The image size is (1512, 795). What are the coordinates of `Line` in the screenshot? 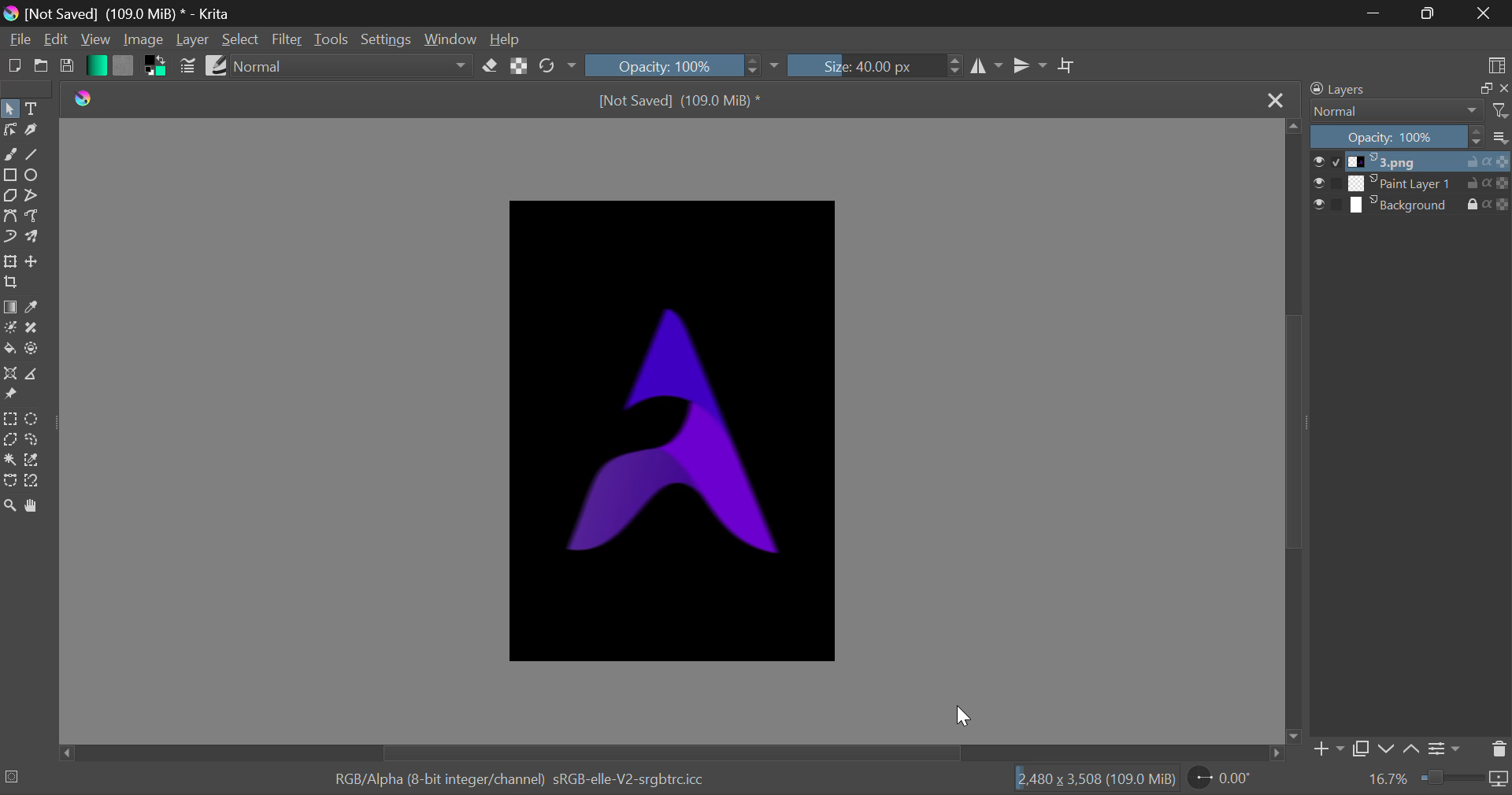 It's located at (34, 153).